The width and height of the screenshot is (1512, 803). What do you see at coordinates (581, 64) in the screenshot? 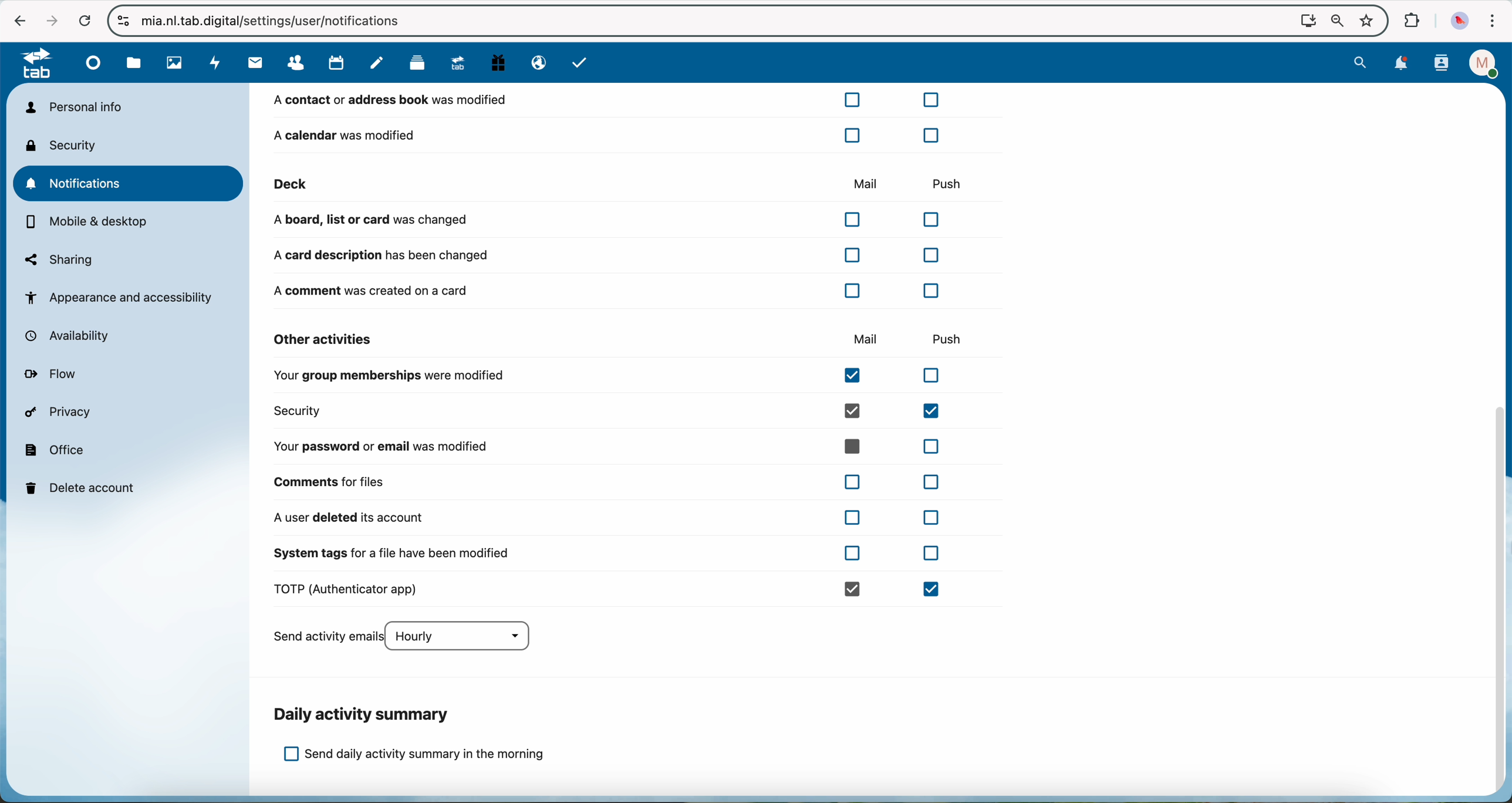
I see `task` at bounding box center [581, 64].